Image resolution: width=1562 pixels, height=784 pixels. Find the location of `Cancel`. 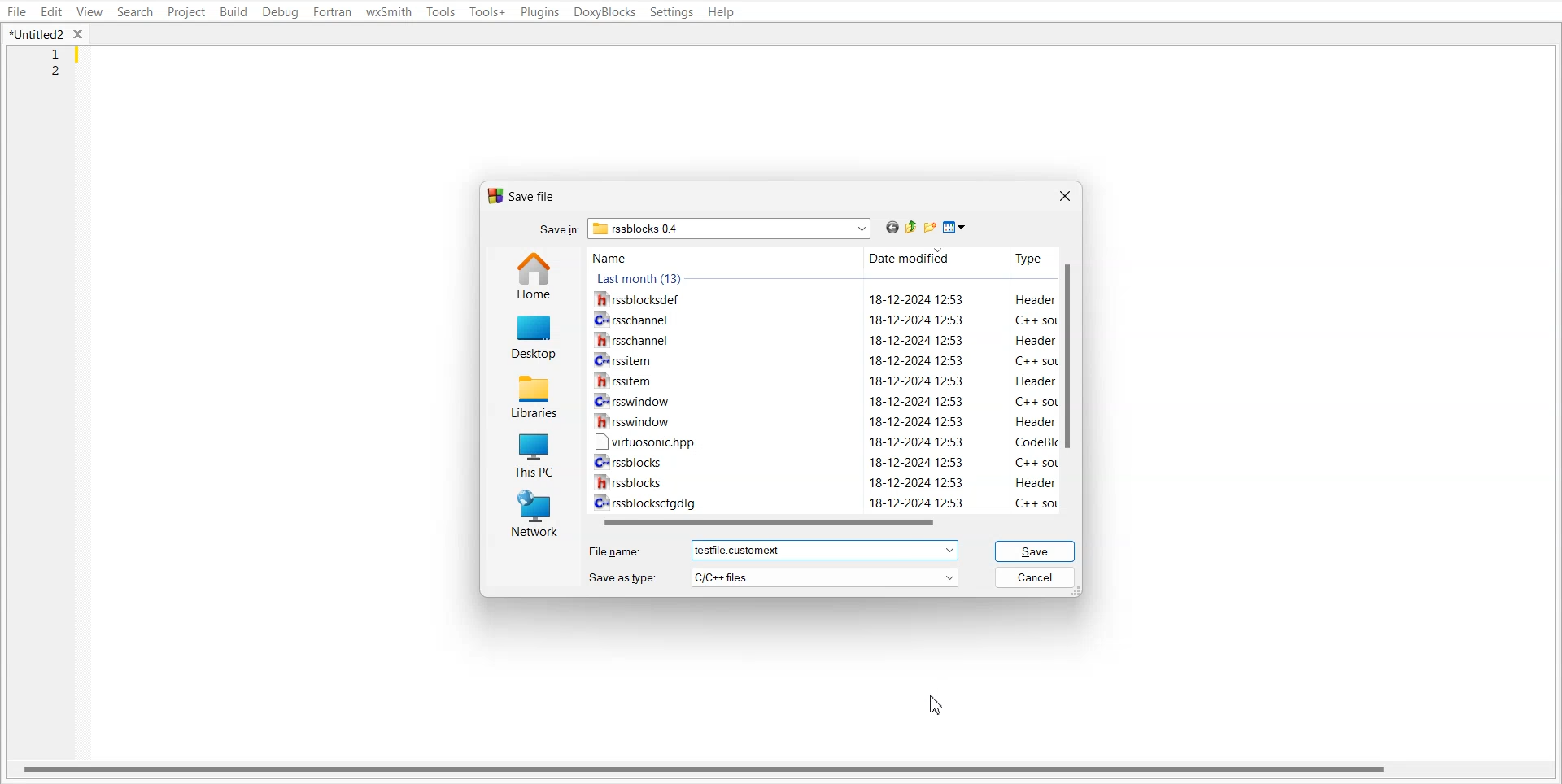

Cancel is located at coordinates (1036, 577).